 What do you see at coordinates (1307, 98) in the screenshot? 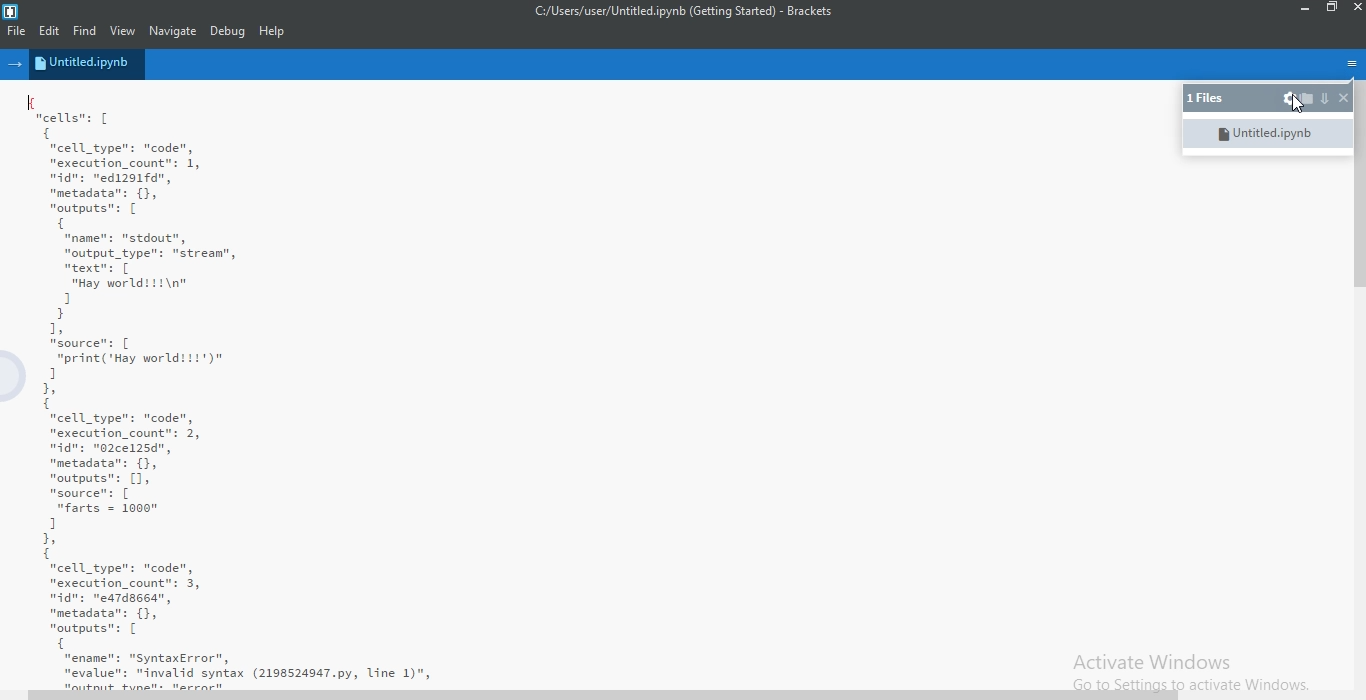
I see `open folder` at bounding box center [1307, 98].